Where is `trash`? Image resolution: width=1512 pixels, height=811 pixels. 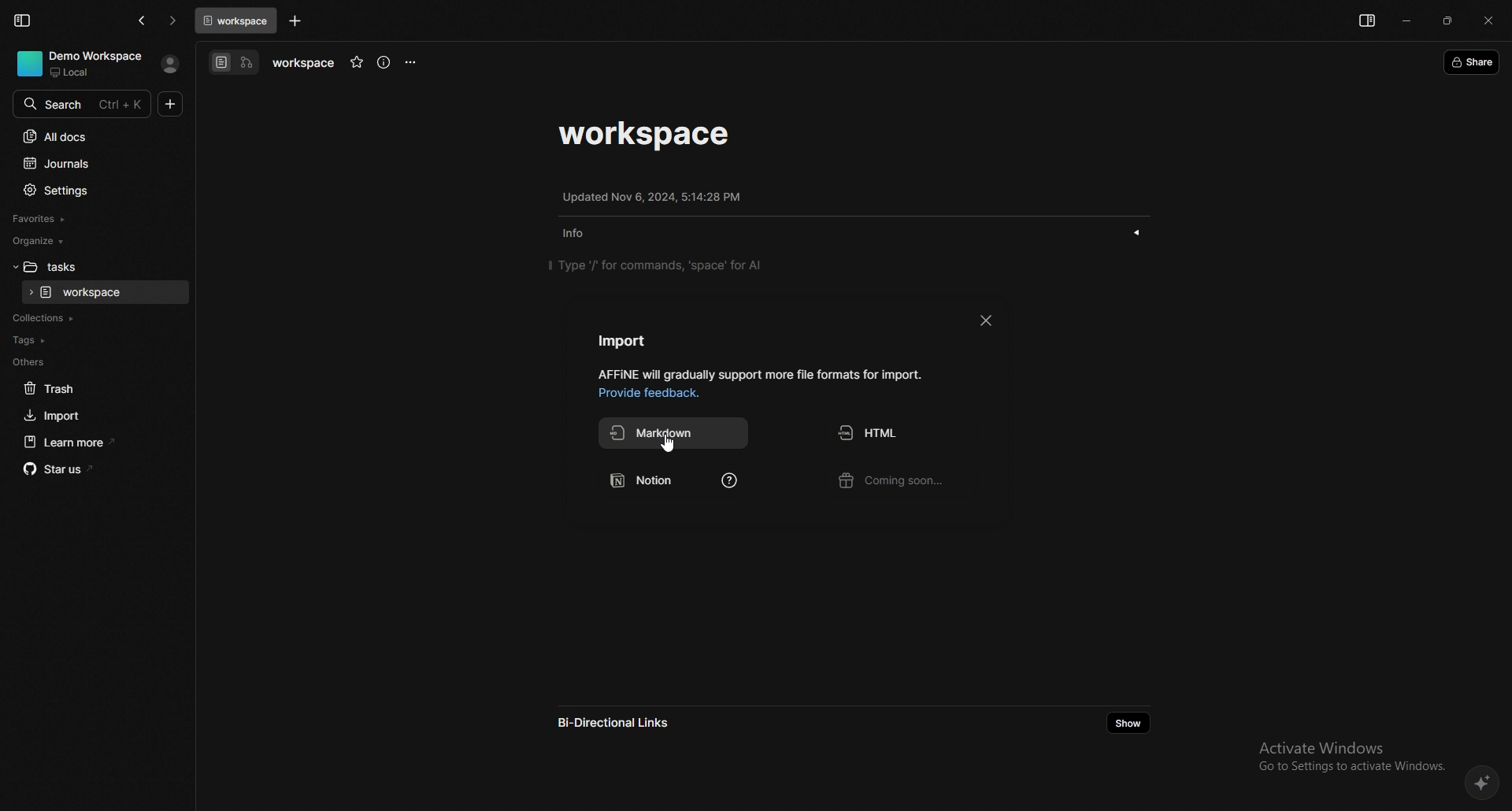
trash is located at coordinates (92, 389).